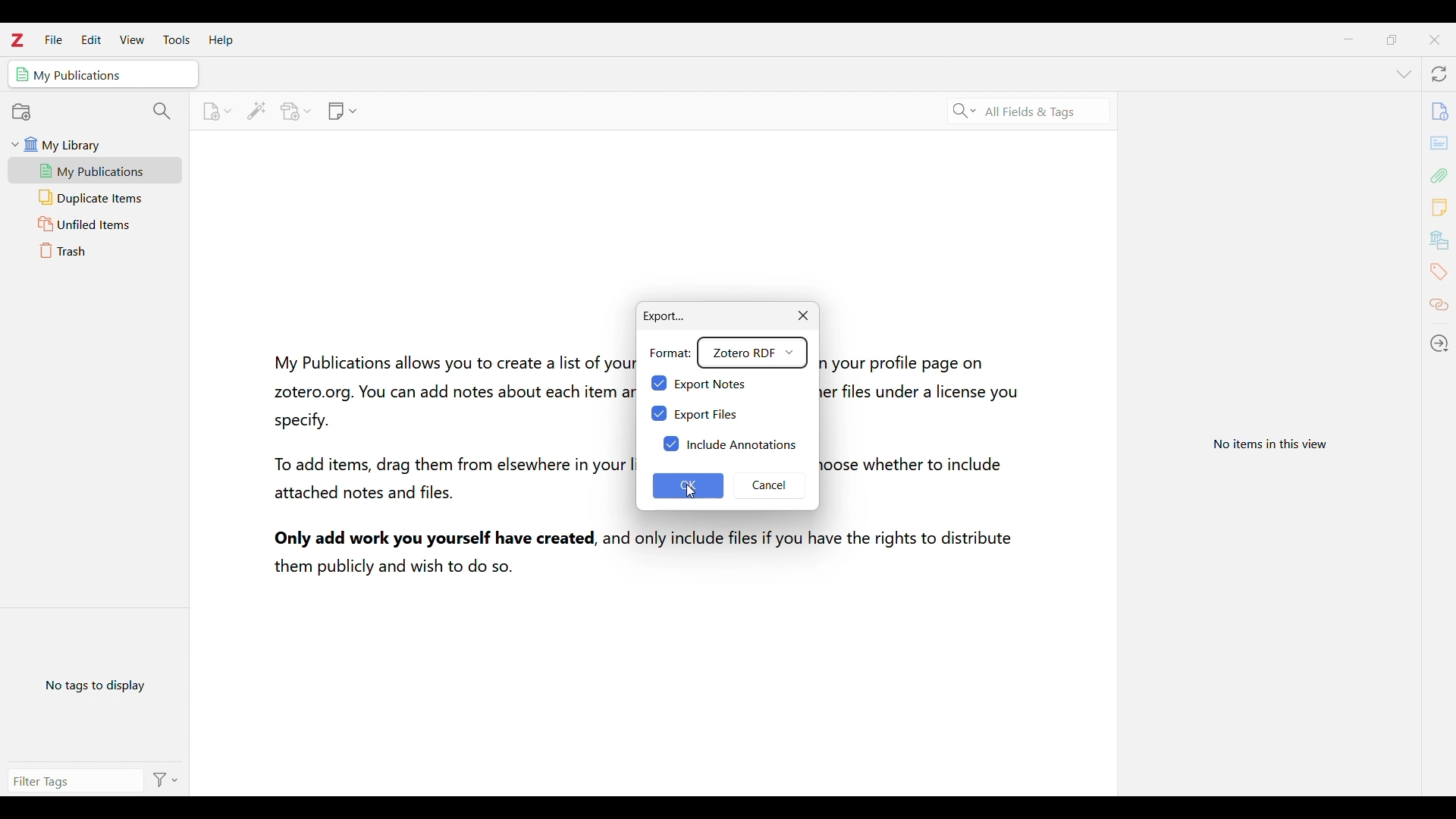 This screenshot has height=819, width=1456. I want to click on Selected search criteria, so click(1031, 112).